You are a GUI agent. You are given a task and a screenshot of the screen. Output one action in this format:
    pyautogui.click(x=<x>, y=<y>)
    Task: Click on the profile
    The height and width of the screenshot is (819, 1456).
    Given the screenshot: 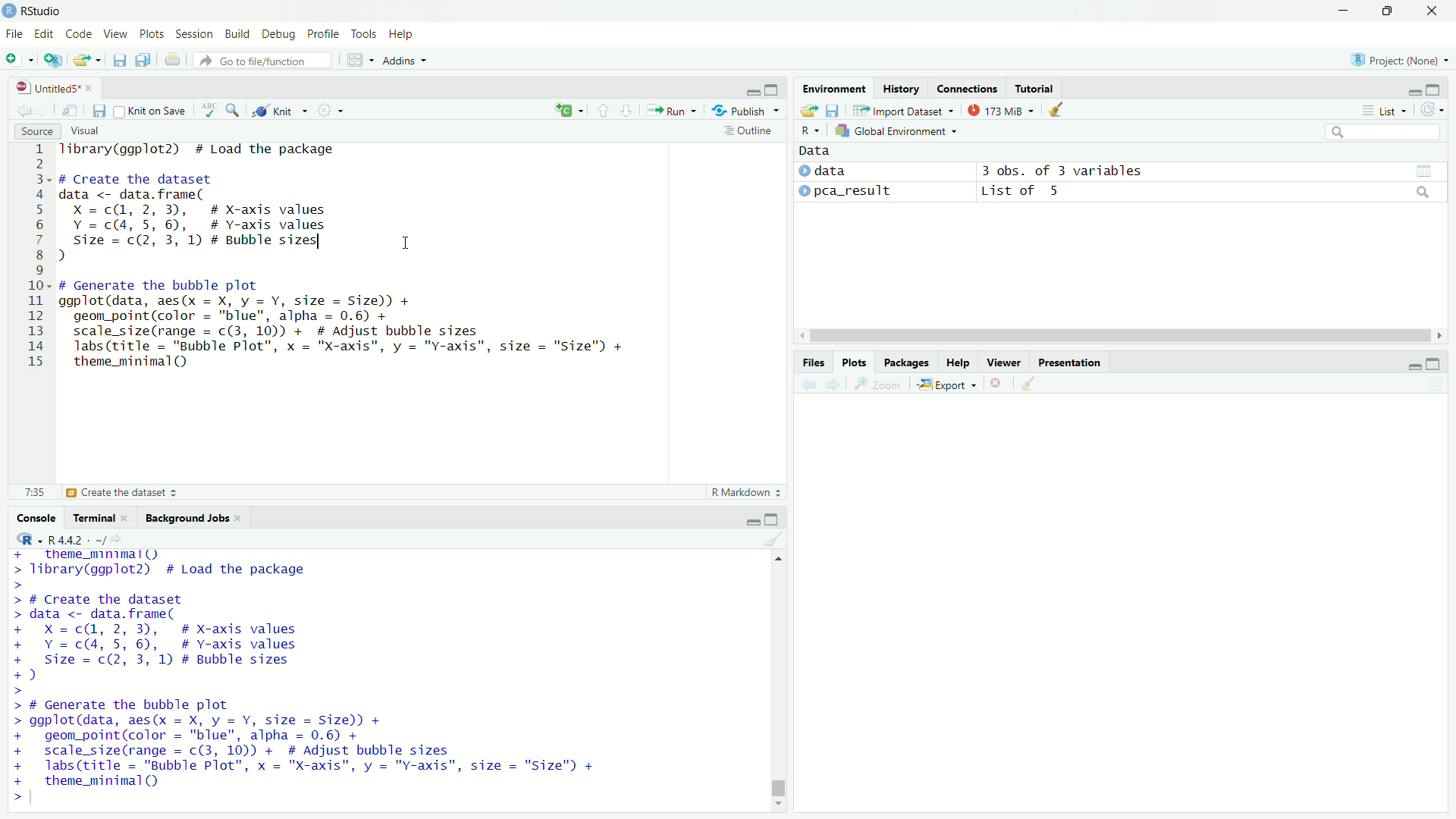 What is the action you would take?
    pyautogui.click(x=325, y=35)
    